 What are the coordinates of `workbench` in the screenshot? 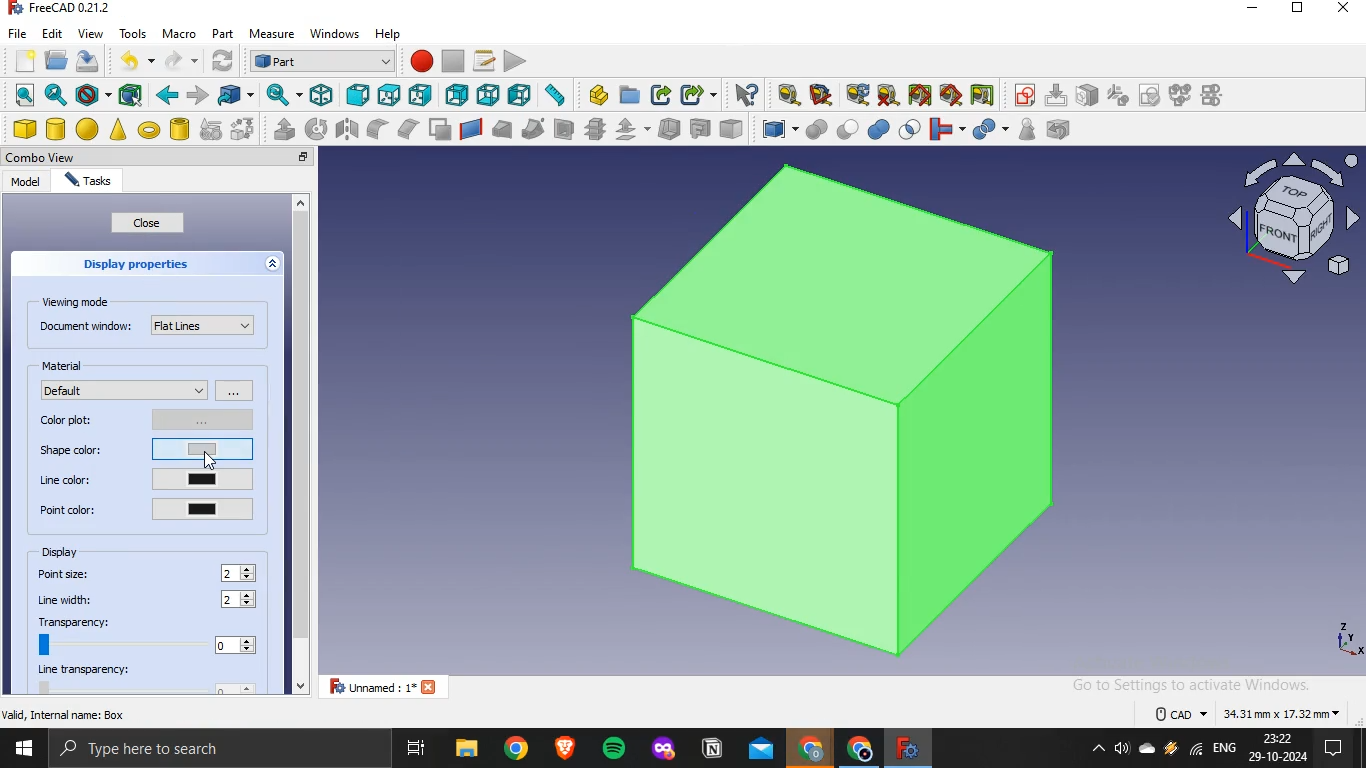 It's located at (322, 60).